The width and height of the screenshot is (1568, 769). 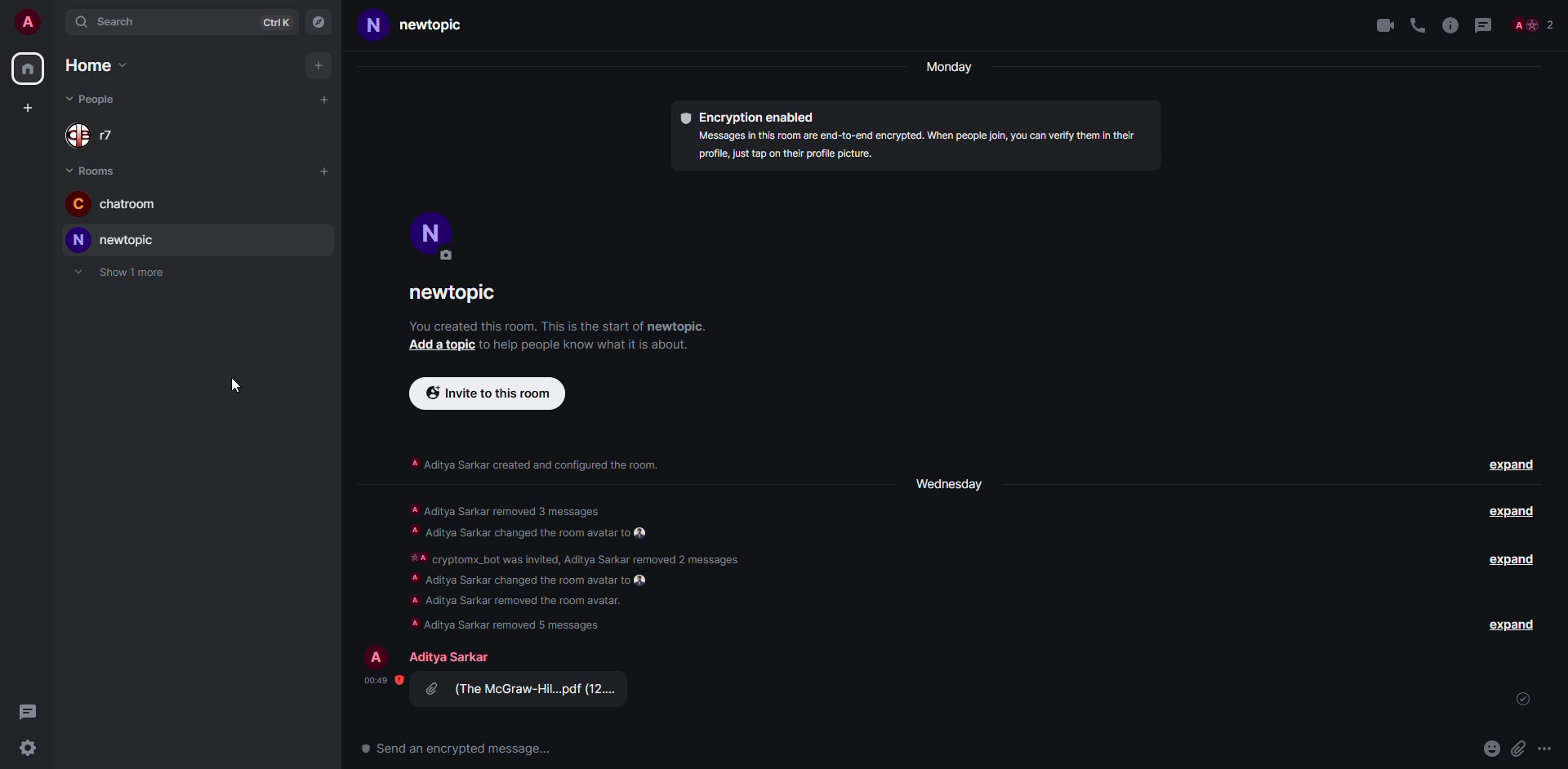 I want to click on more, so click(x=1550, y=752).